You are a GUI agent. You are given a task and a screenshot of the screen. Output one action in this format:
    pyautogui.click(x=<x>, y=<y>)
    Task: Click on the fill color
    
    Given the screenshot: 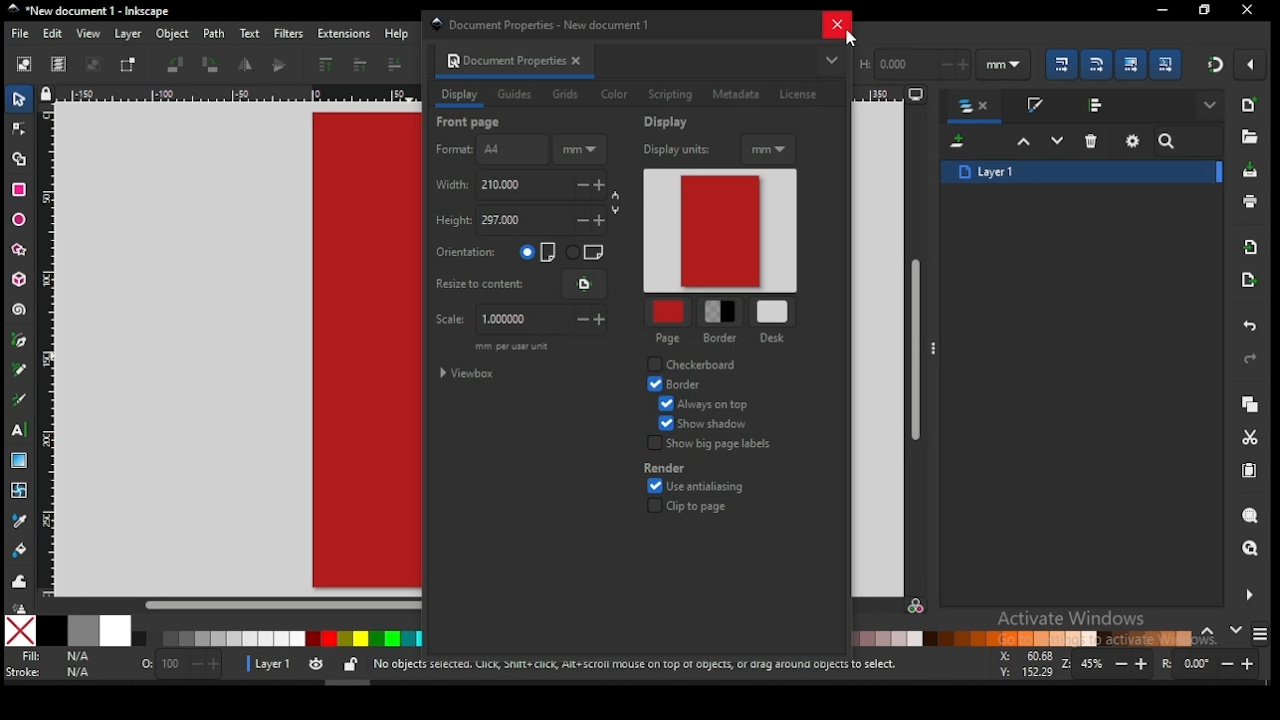 What is the action you would take?
    pyautogui.click(x=53, y=657)
    